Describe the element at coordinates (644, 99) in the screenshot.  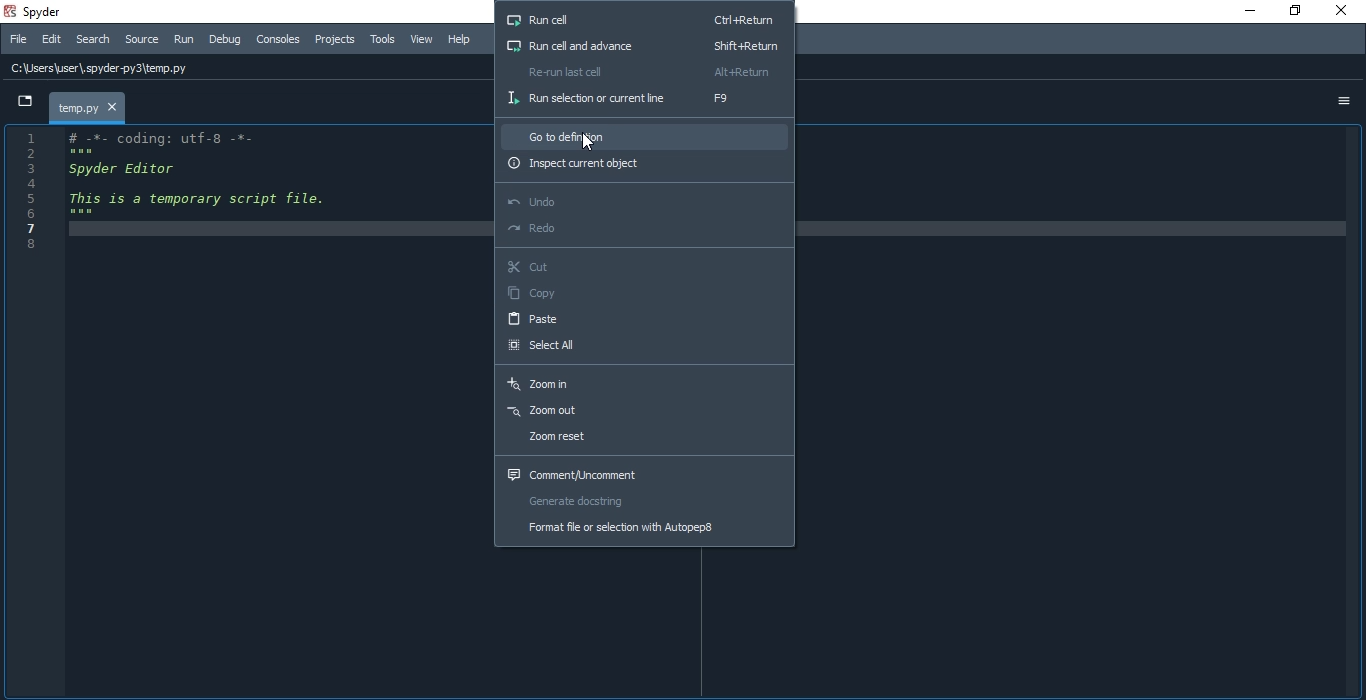
I see `Run selection or current line` at that location.